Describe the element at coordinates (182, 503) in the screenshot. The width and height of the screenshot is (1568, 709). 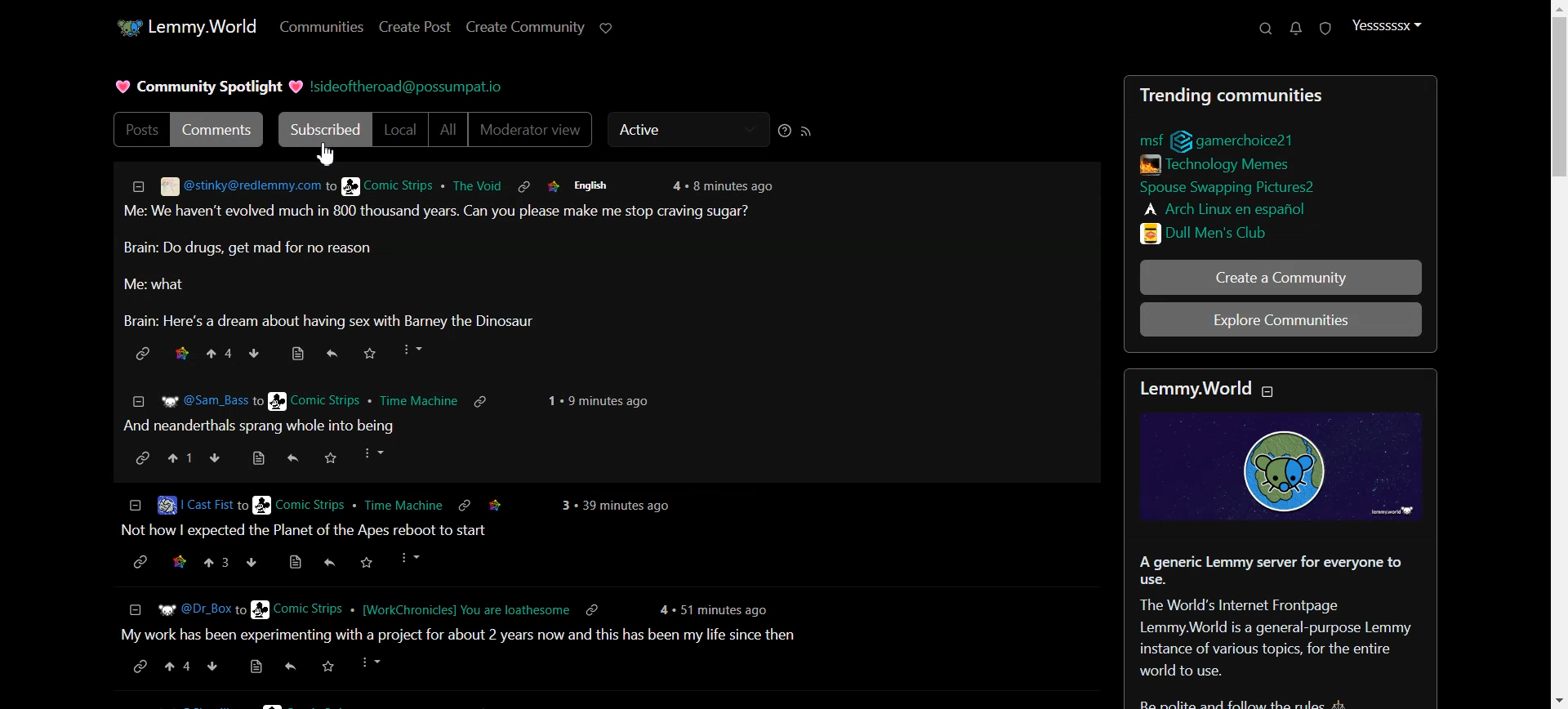
I see `username` at that location.